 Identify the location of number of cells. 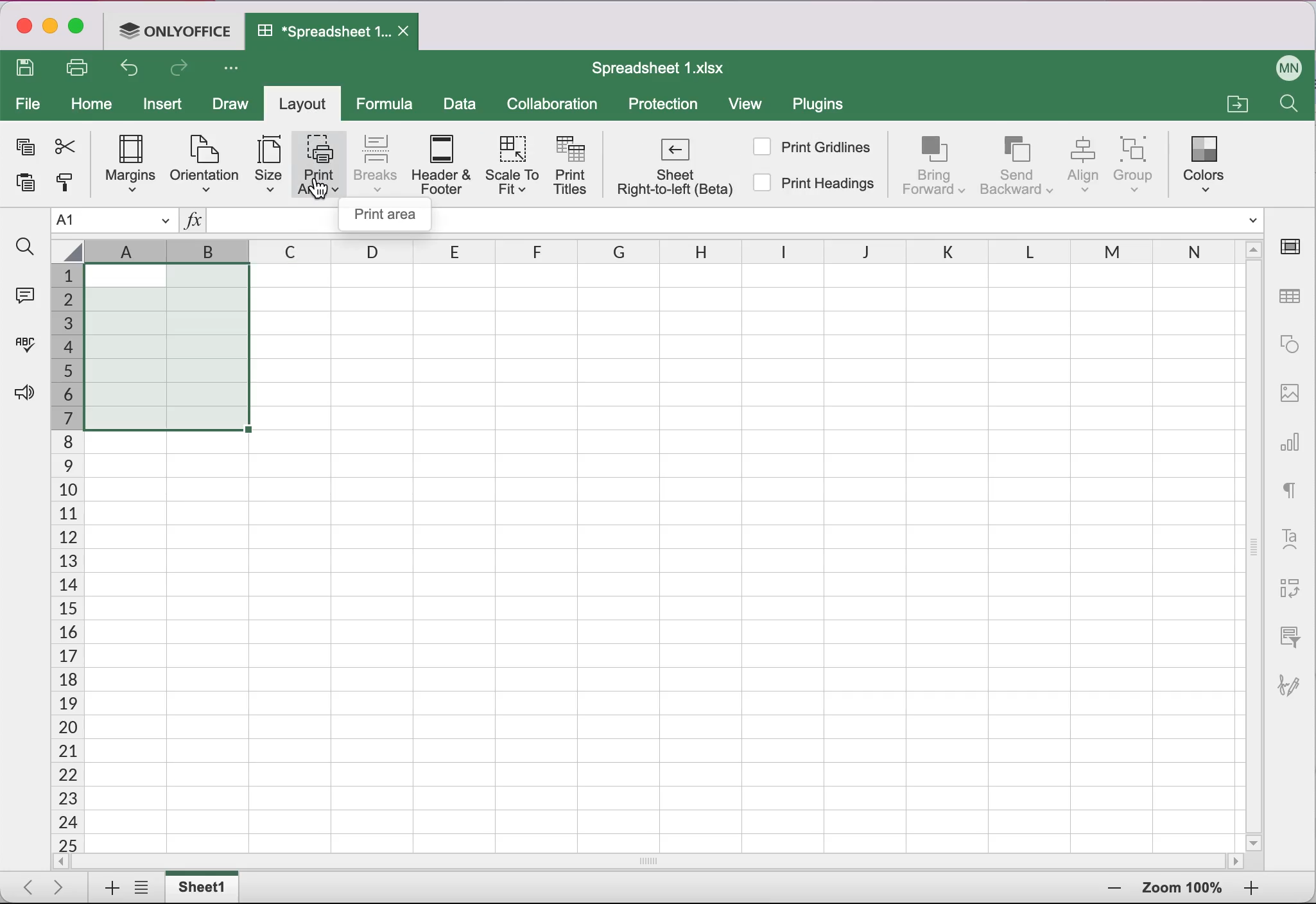
(65, 559).